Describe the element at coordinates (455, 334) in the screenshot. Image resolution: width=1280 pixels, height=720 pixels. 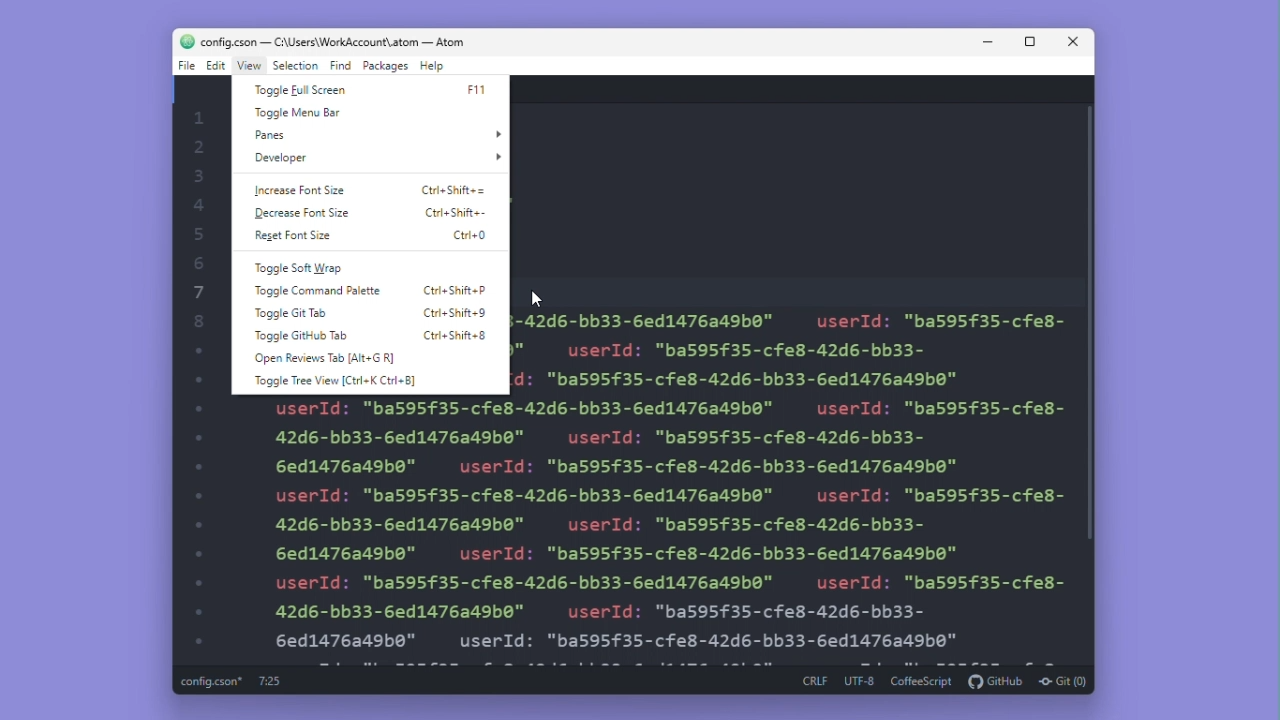
I see `ctrl+shift+ 8` at that location.